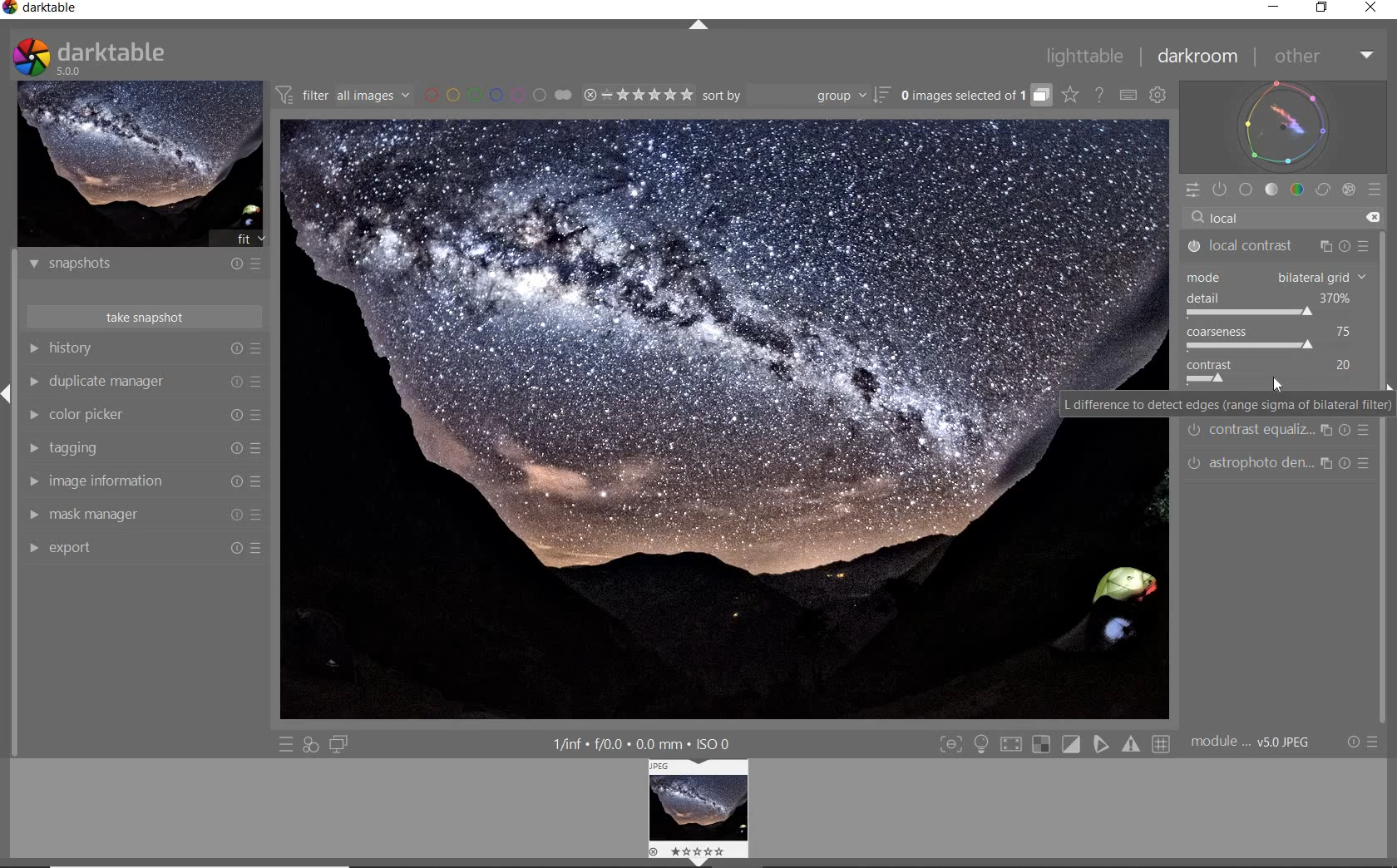  I want to click on multiple instance actions, so click(1325, 243).